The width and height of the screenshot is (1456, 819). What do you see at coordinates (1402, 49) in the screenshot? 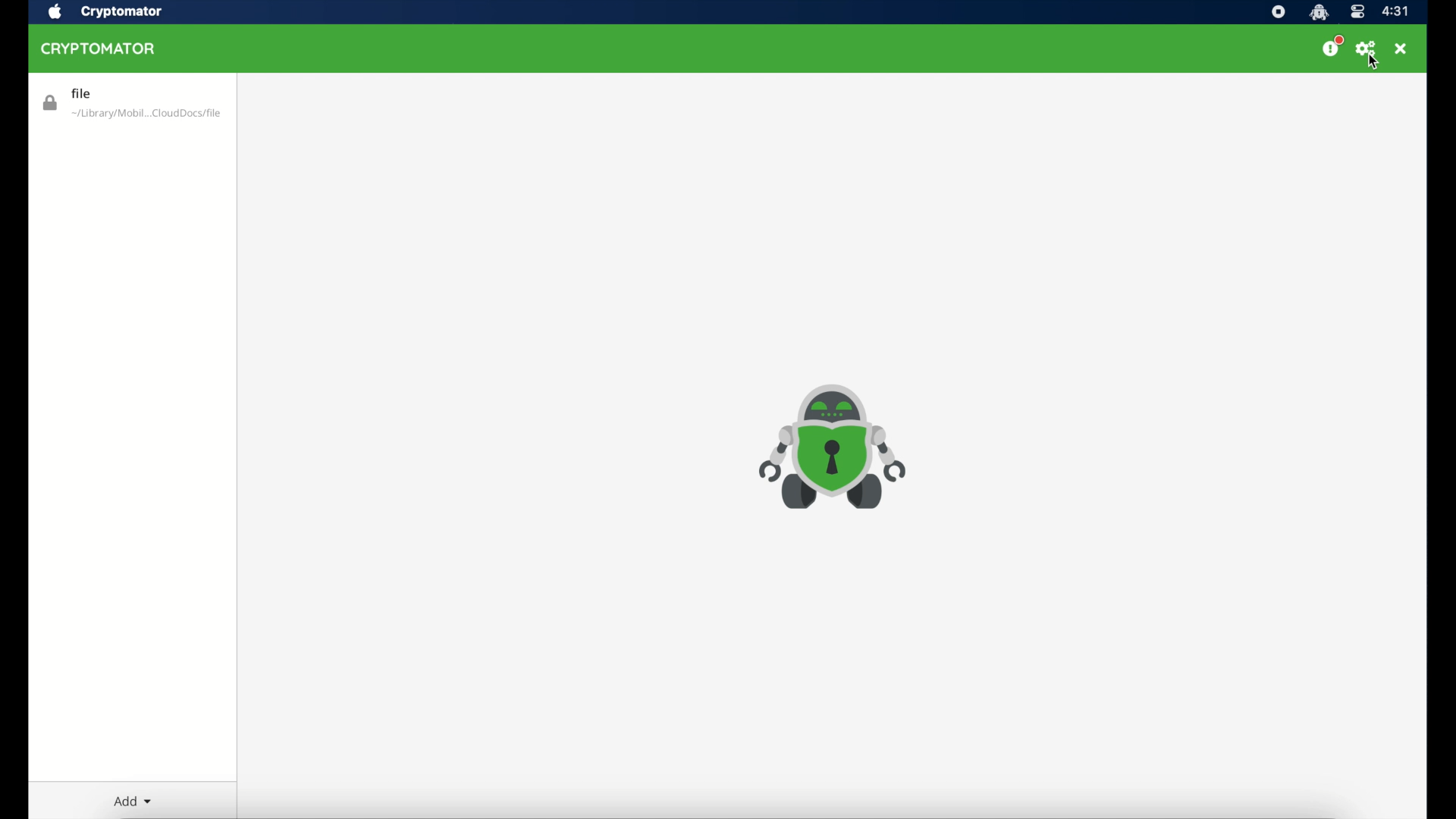
I see `close` at bounding box center [1402, 49].